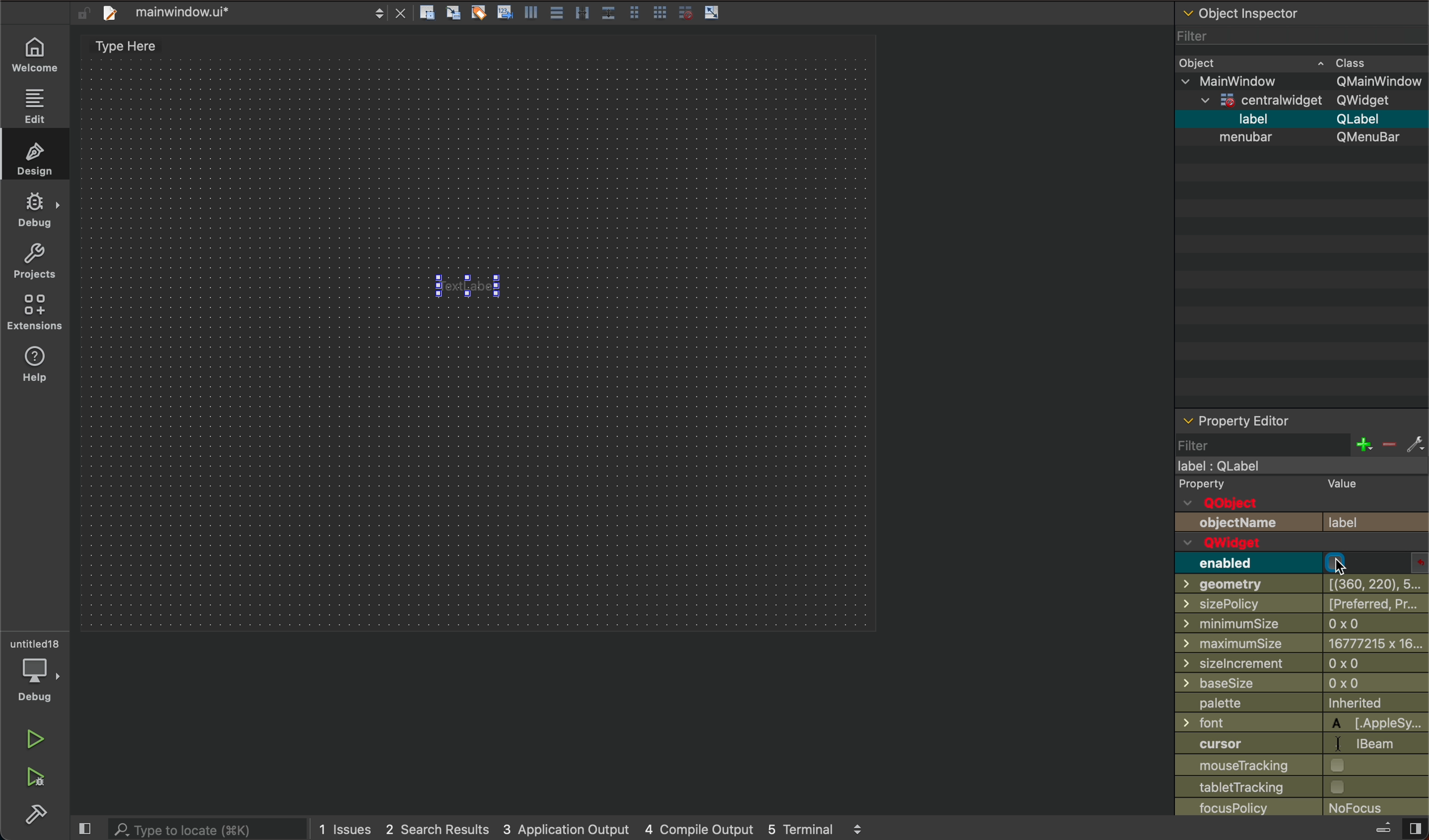  What do you see at coordinates (1230, 642) in the screenshot?
I see `maximumSize` at bounding box center [1230, 642].